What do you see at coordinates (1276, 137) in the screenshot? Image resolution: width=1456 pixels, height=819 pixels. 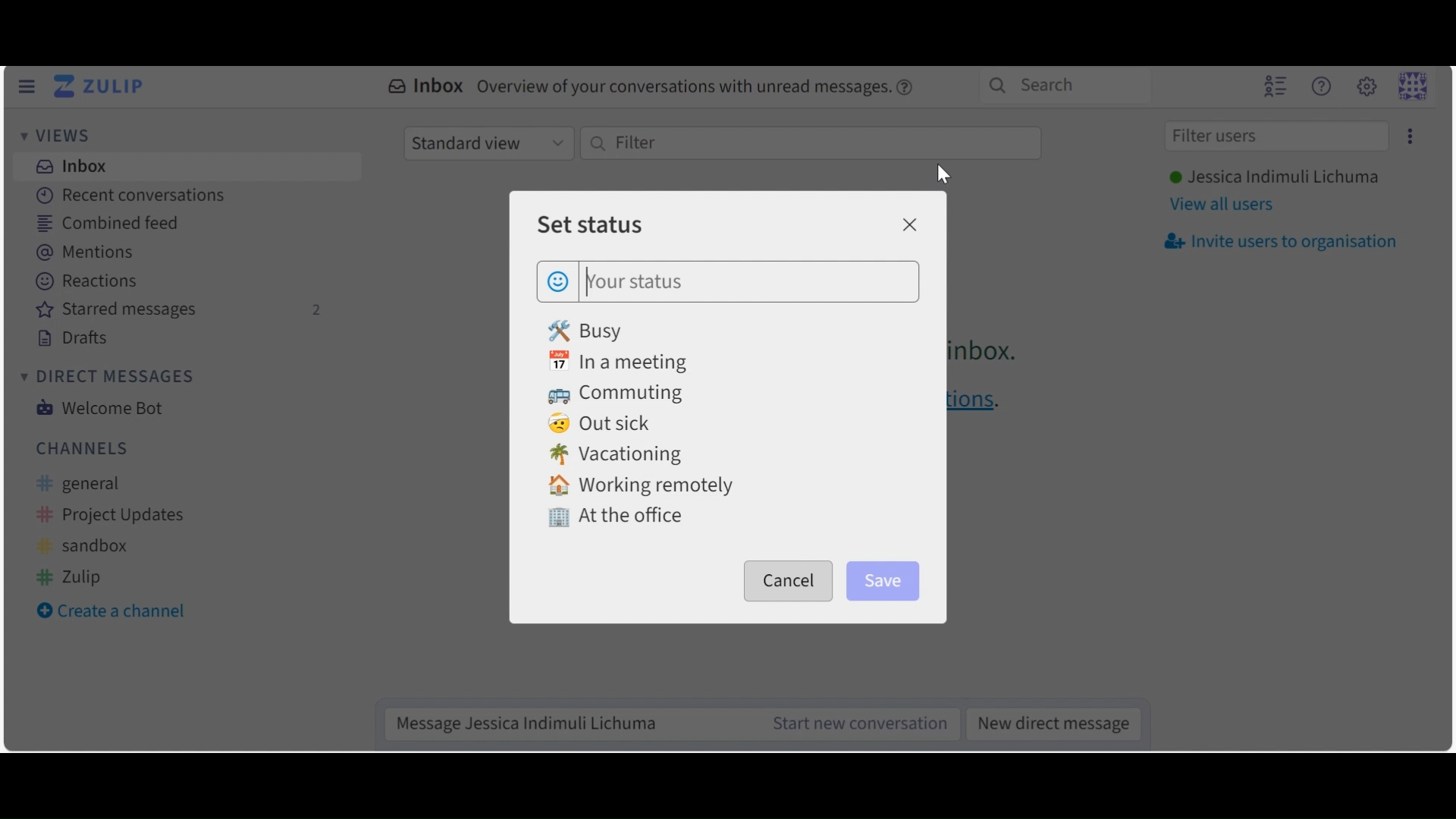 I see `Filter user` at bounding box center [1276, 137].